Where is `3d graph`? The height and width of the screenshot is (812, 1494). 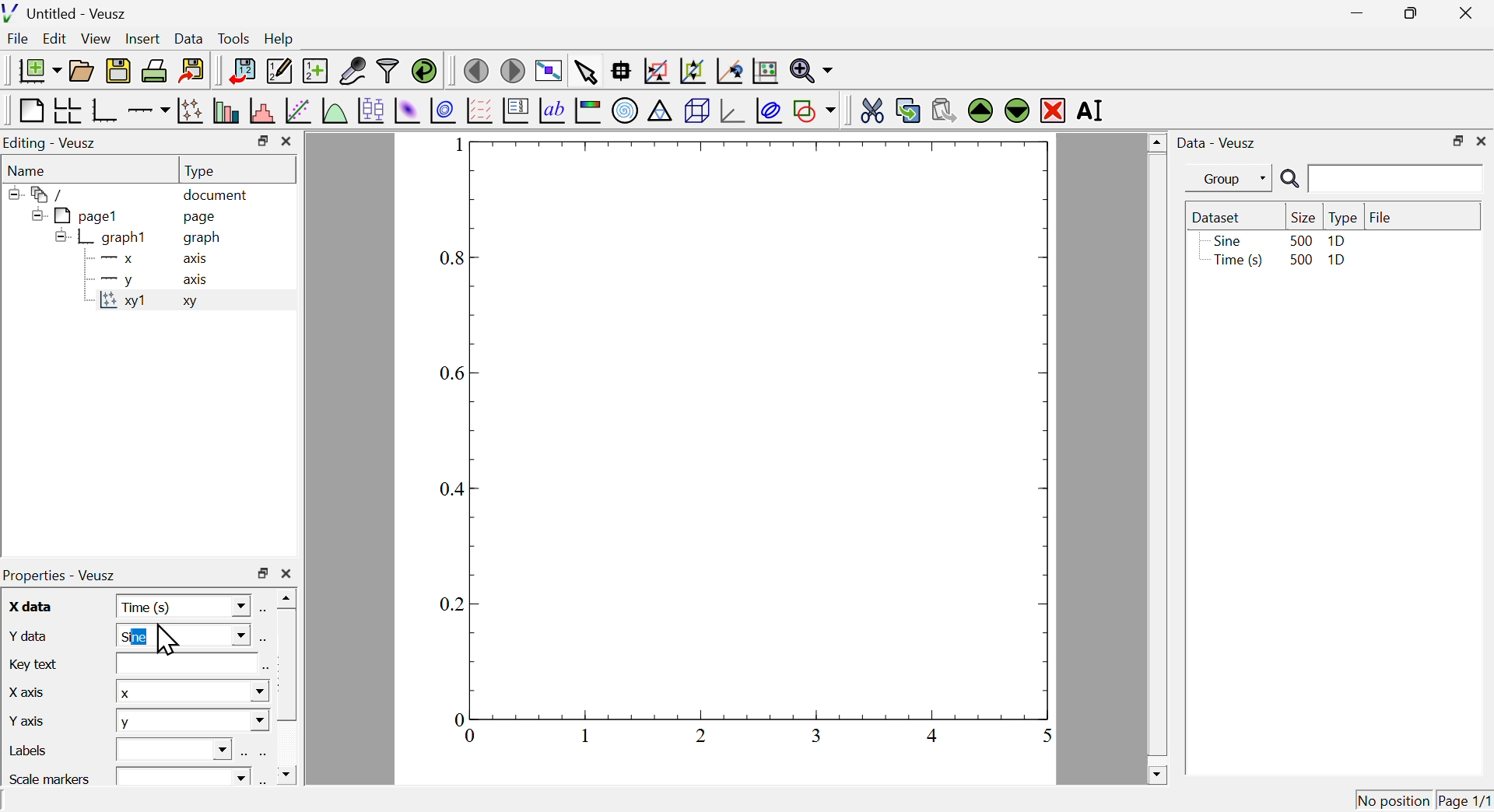
3d graph is located at coordinates (732, 111).